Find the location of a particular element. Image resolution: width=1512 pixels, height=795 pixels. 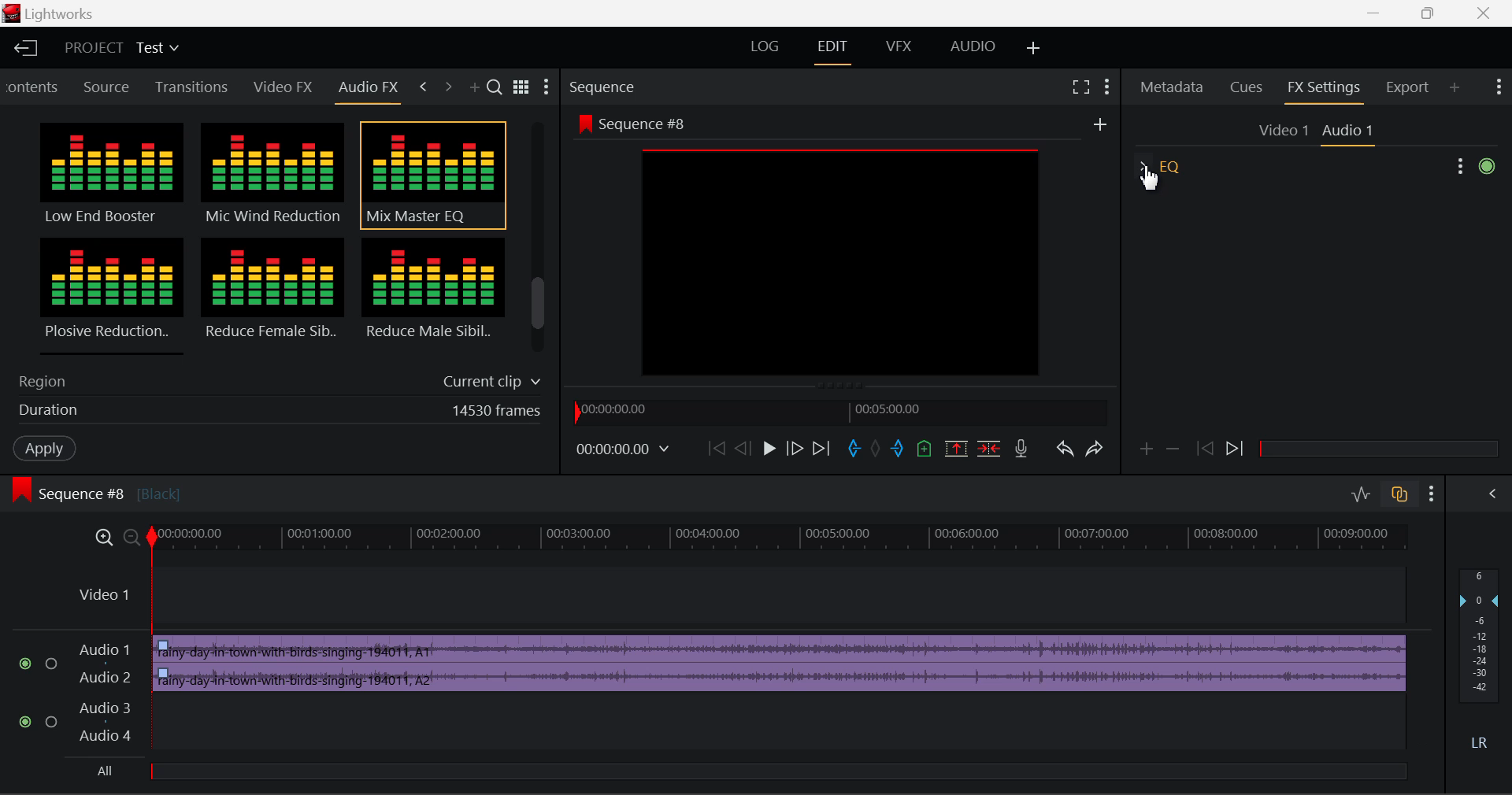

Back to Homepage is located at coordinates (24, 48).